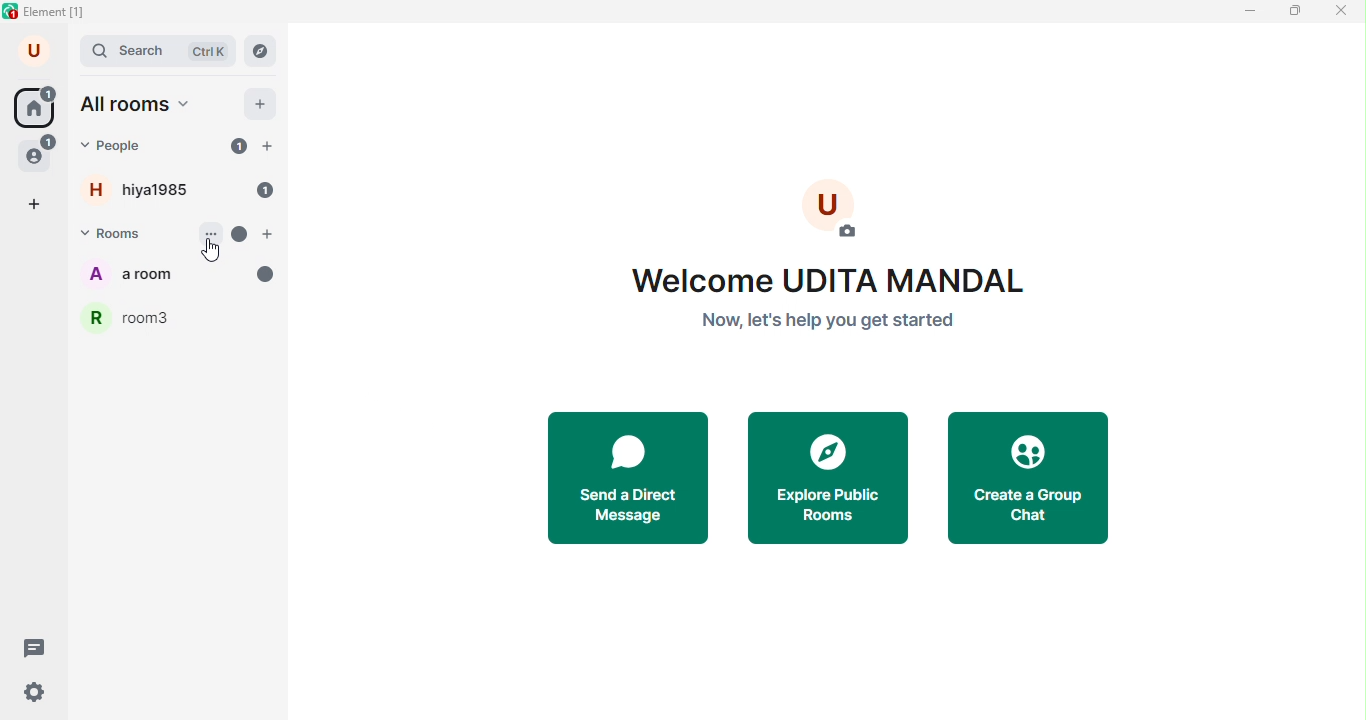 The height and width of the screenshot is (720, 1366). What do you see at coordinates (146, 188) in the screenshot?
I see `hiya1985` at bounding box center [146, 188].